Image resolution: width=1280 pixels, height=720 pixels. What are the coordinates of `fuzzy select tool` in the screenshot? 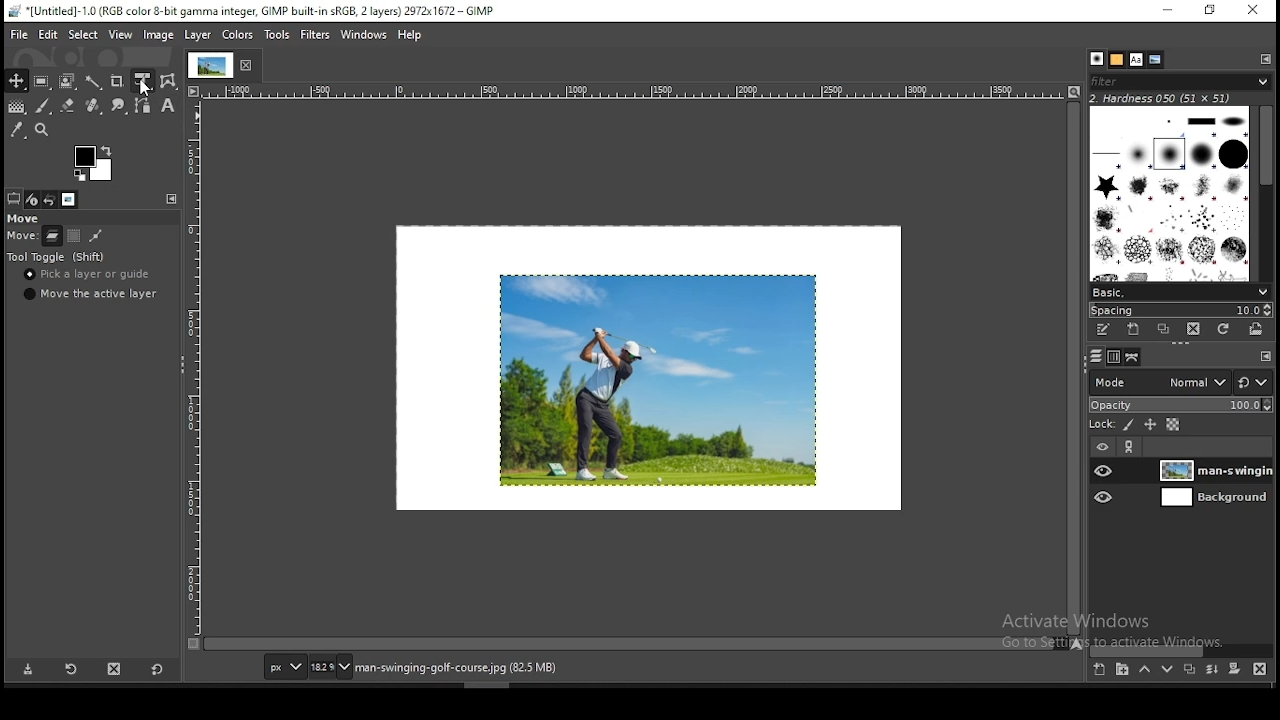 It's located at (95, 83).